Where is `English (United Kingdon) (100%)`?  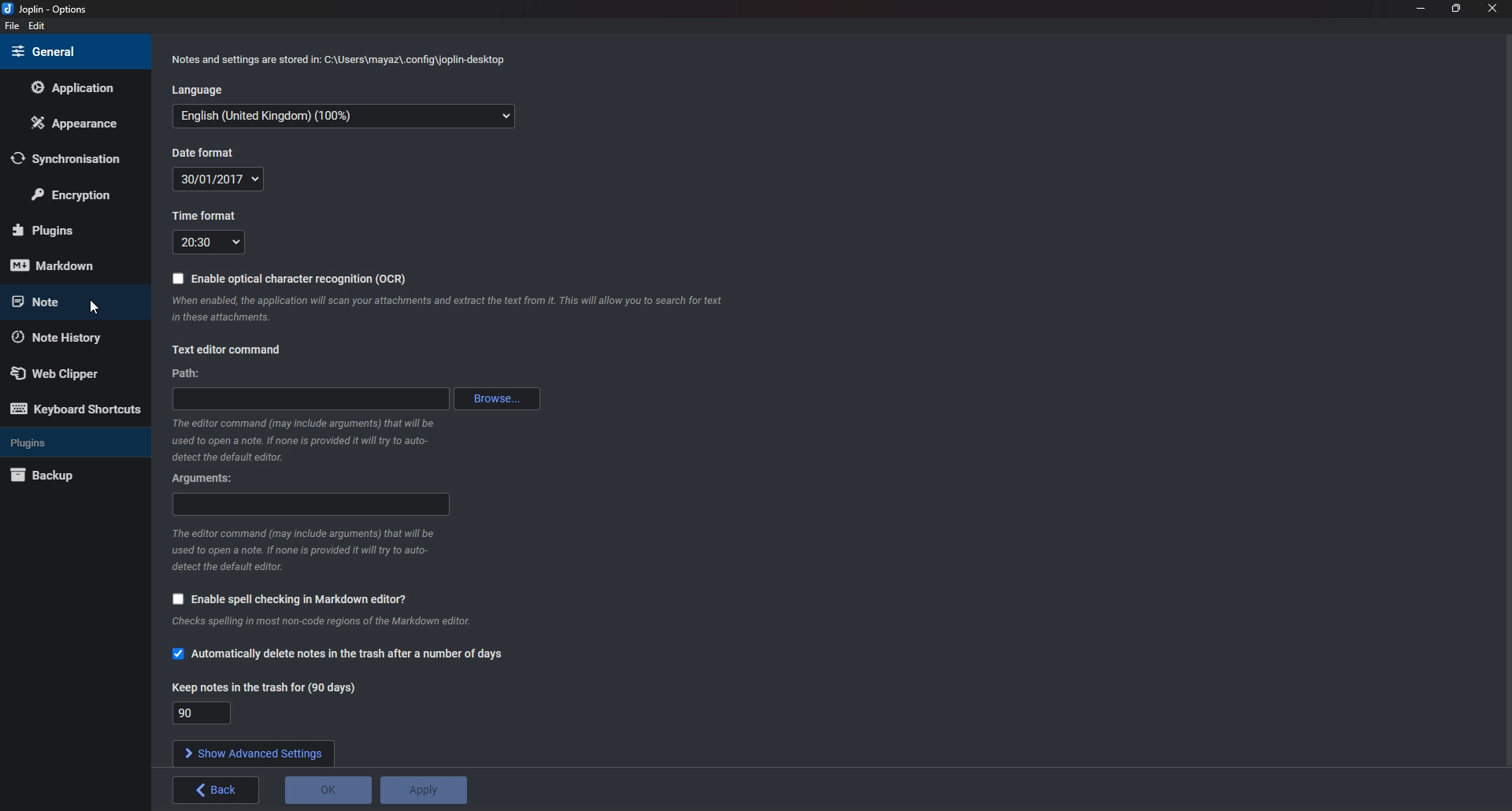
English (United Kingdon) (100%) is located at coordinates (340, 115).